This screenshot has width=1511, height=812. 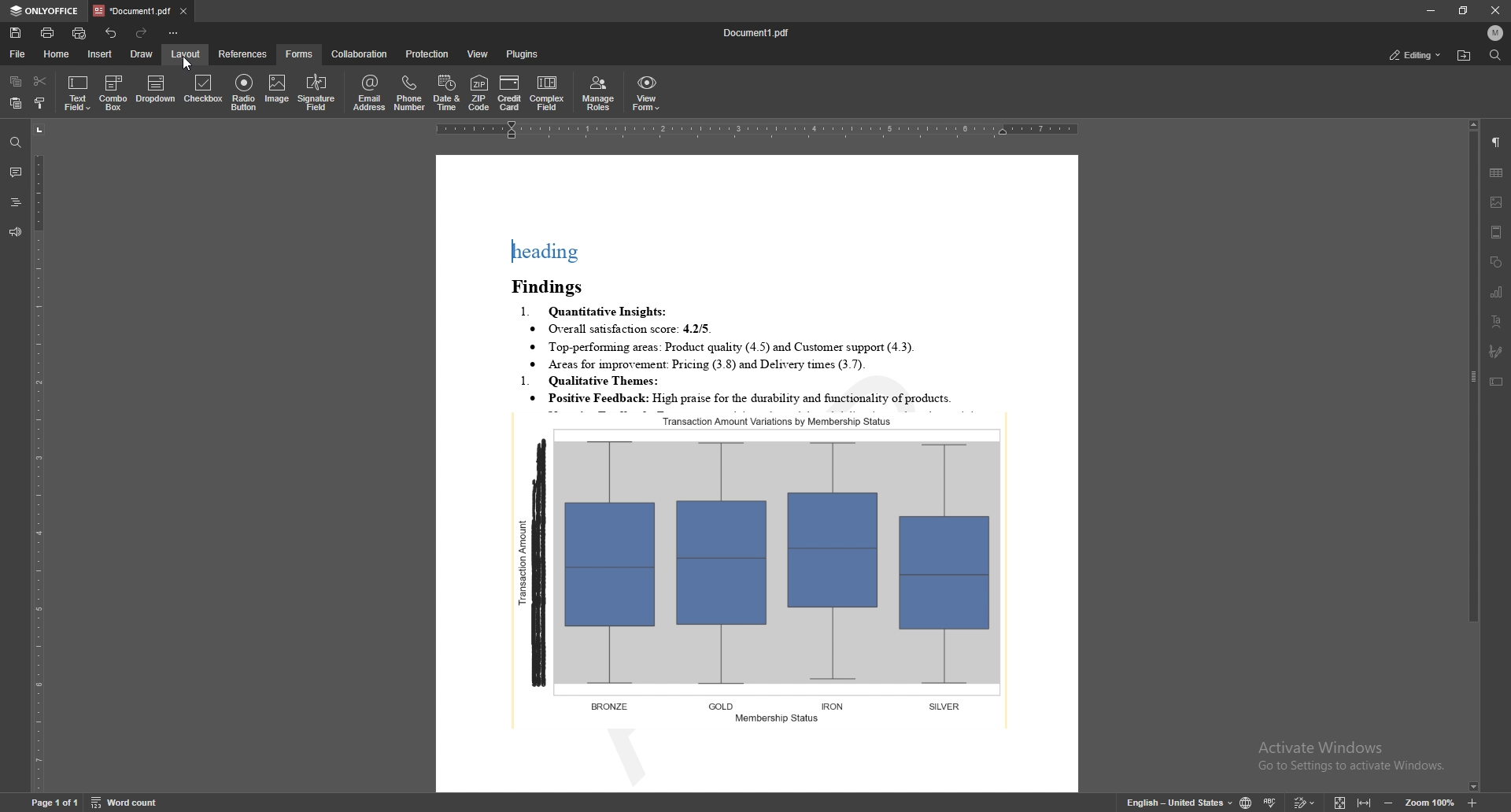 What do you see at coordinates (13, 142) in the screenshot?
I see `find` at bounding box center [13, 142].